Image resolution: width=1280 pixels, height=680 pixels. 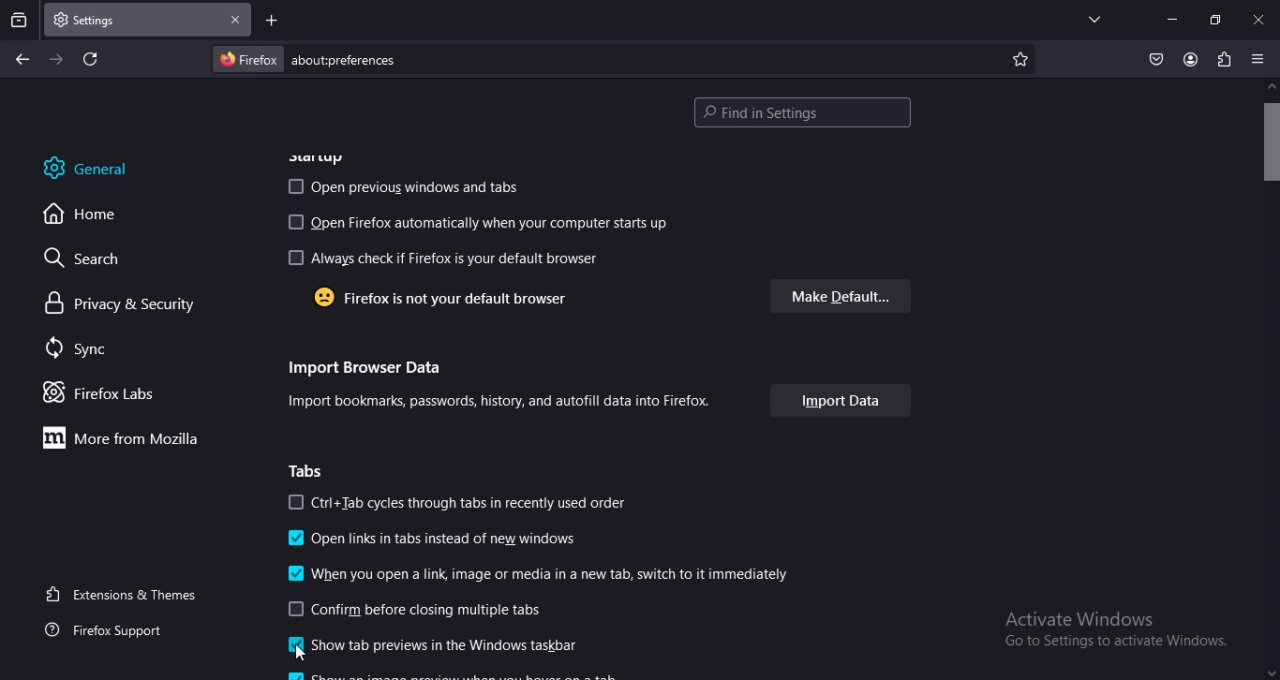 I want to click on Firefox, so click(x=246, y=60).